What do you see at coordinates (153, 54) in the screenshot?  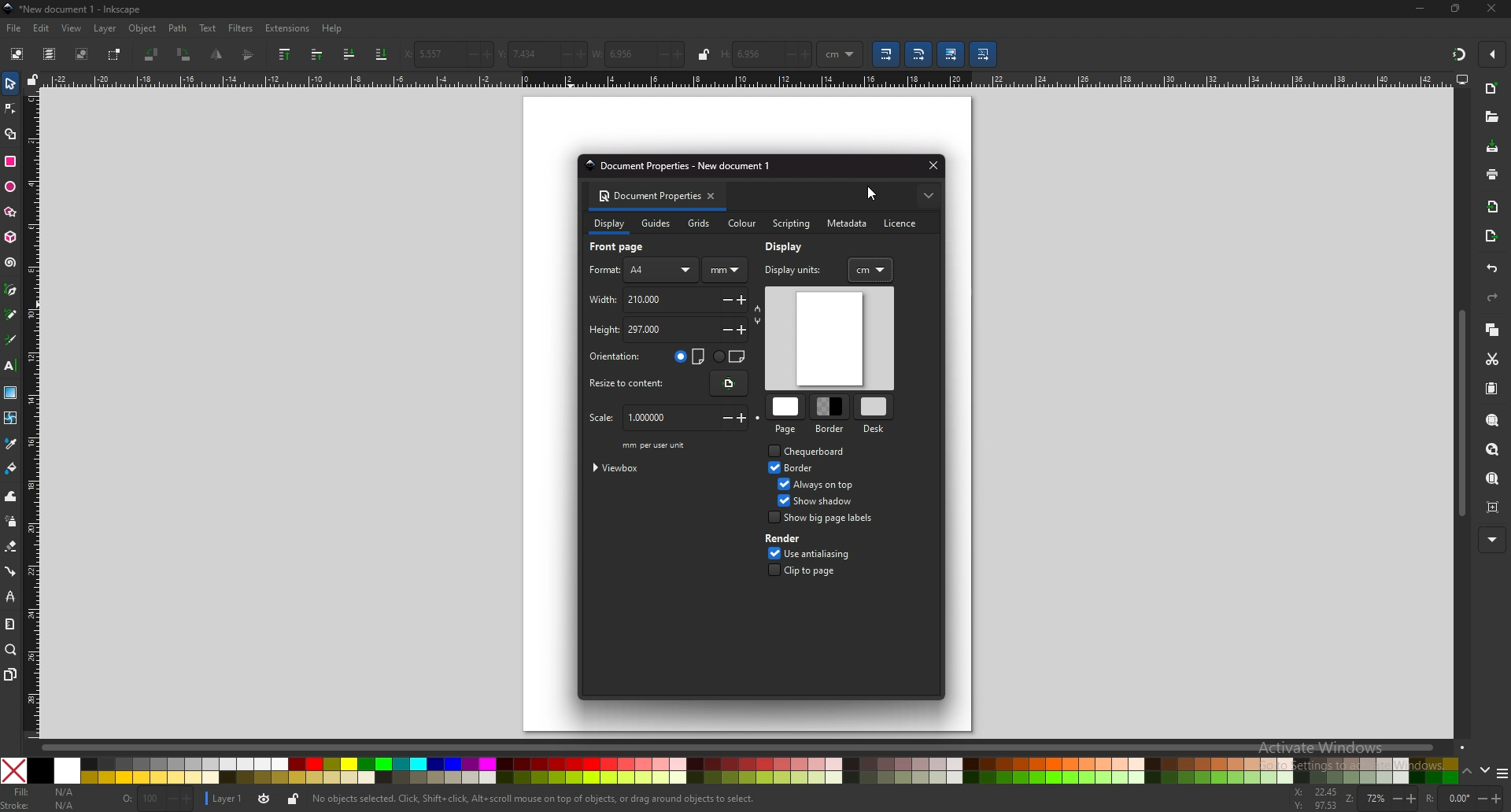 I see `rotate 90 ccw` at bounding box center [153, 54].